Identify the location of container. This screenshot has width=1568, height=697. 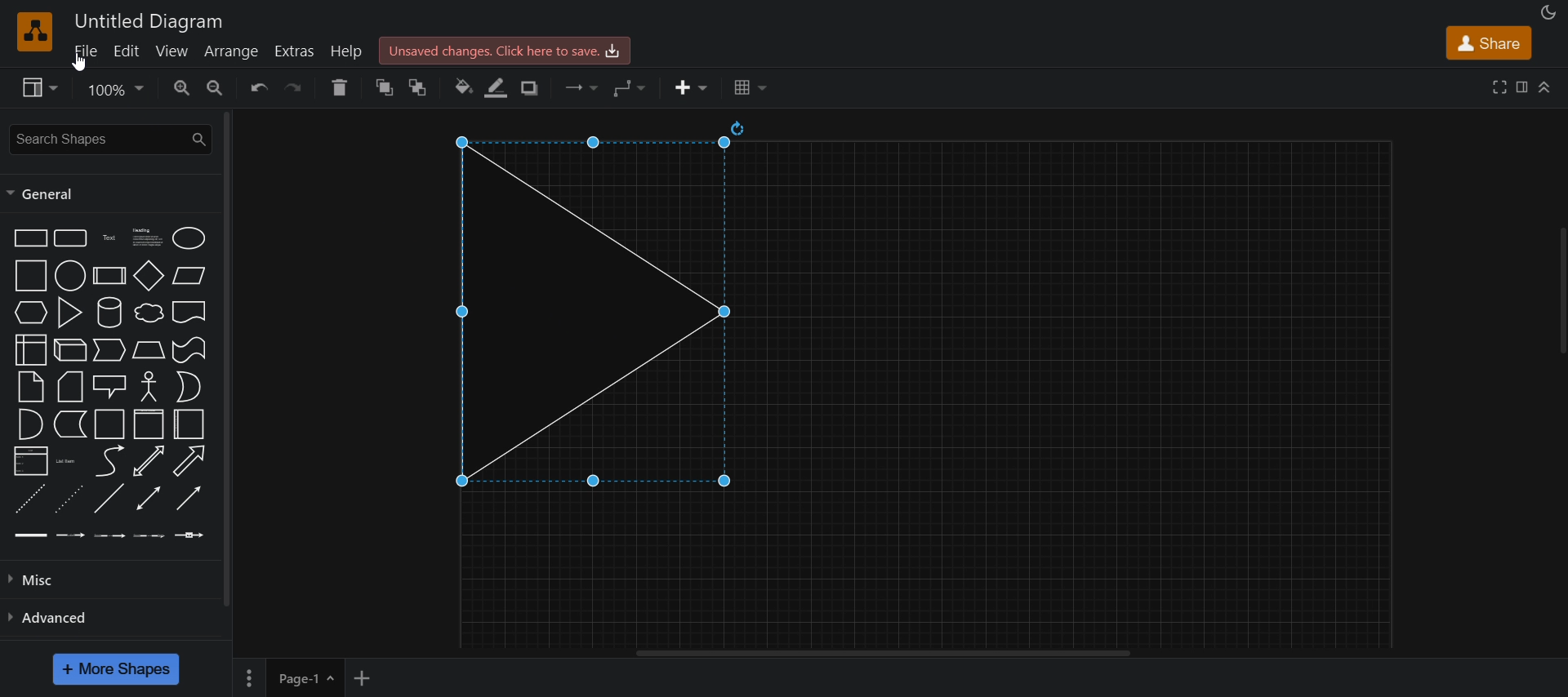
(191, 424).